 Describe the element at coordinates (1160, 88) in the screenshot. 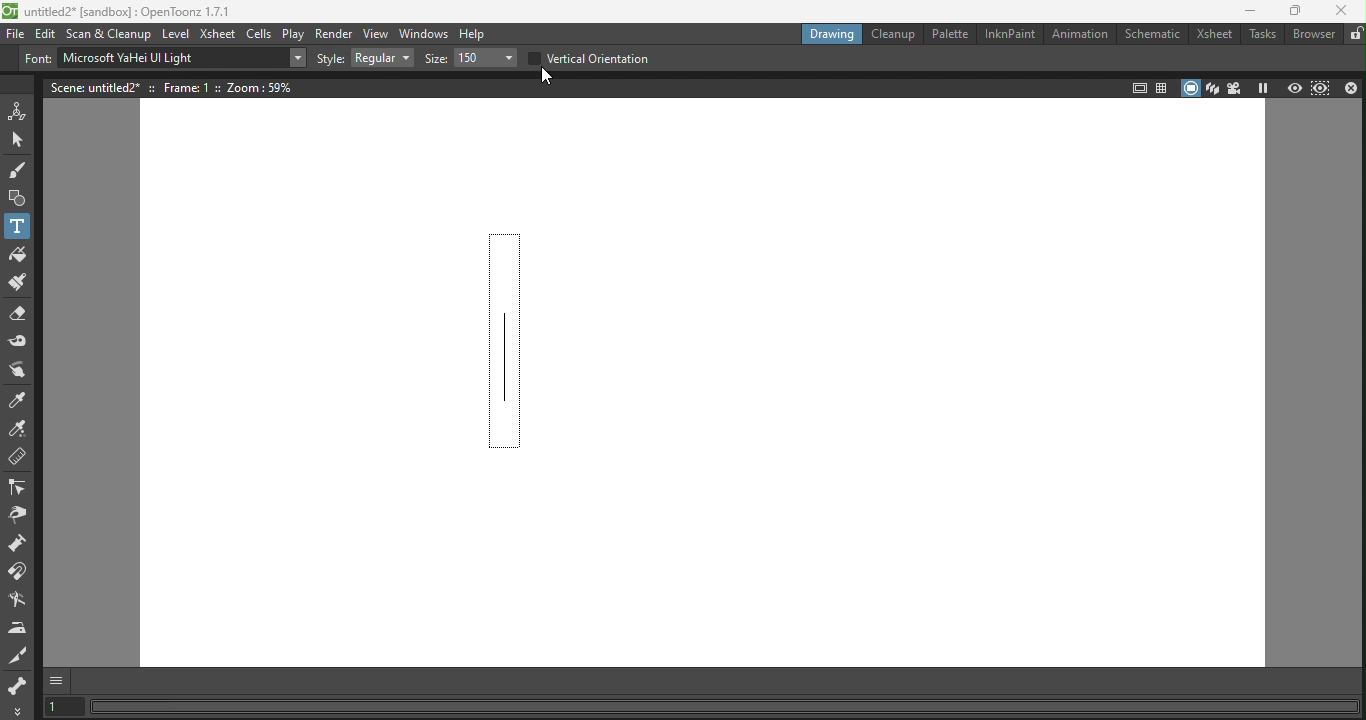

I see `Field guide` at that location.